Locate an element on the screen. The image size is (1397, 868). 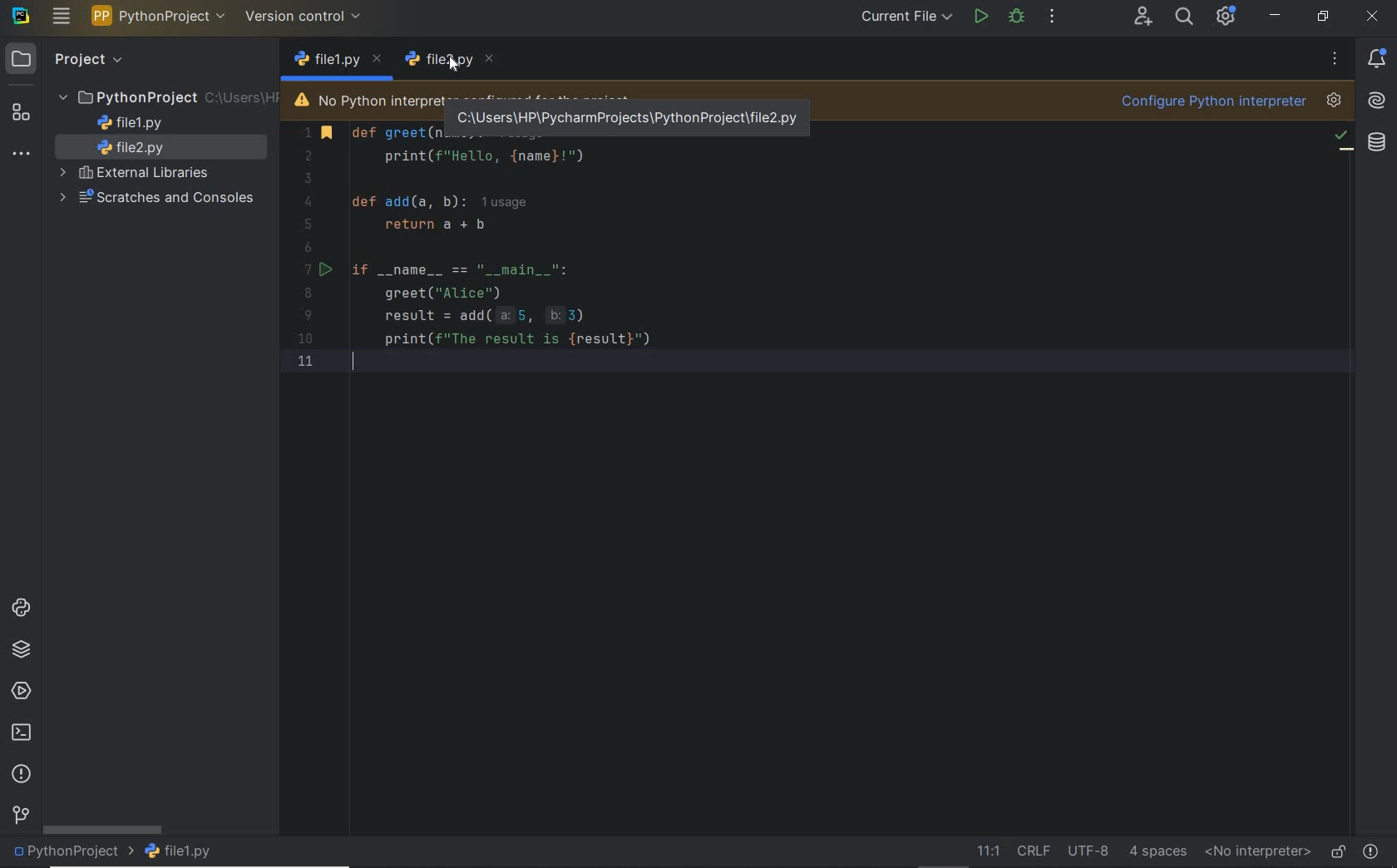
Code is located at coordinates (560, 269).